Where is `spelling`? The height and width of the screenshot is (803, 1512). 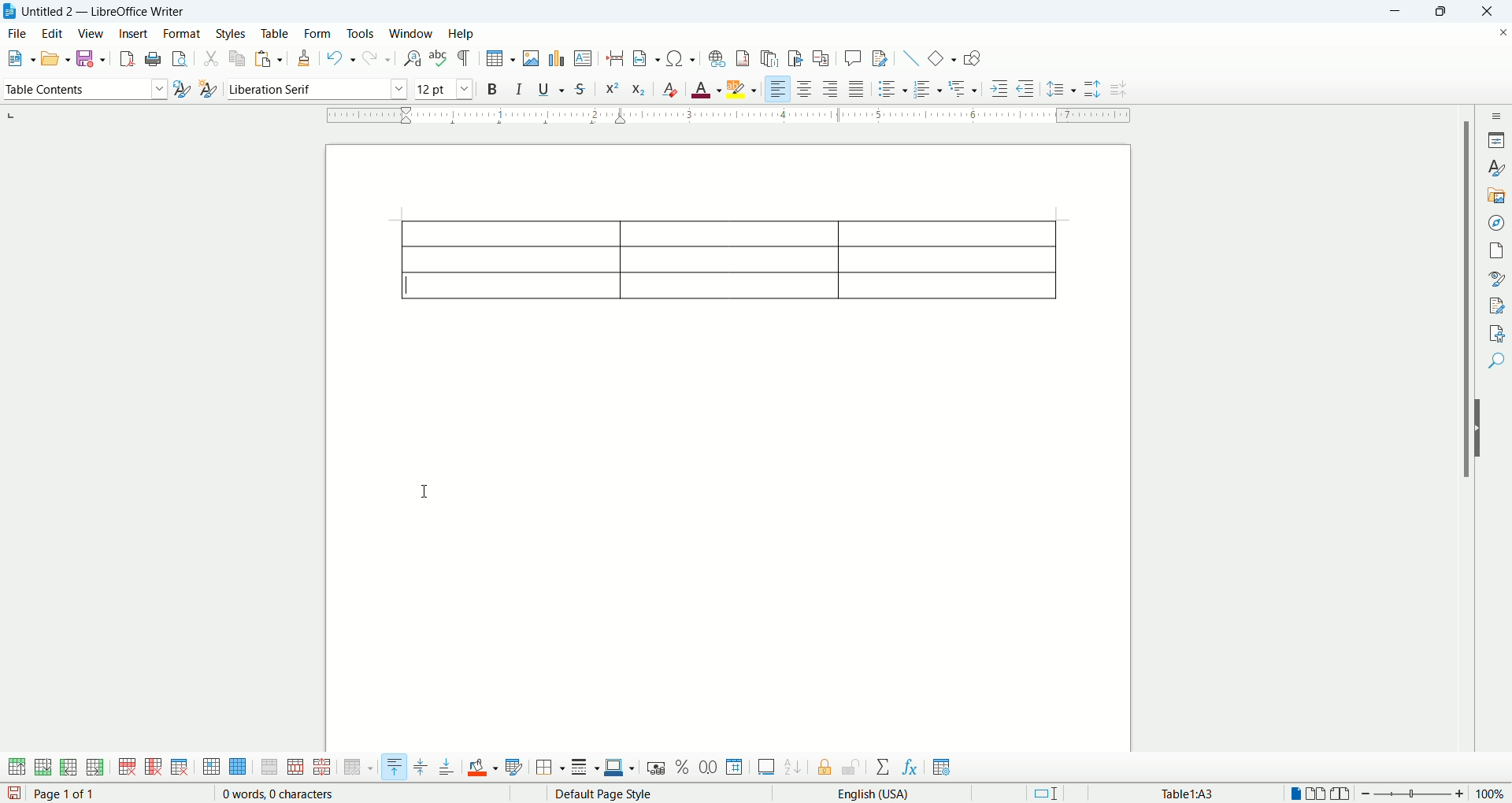
spelling is located at coordinates (437, 60).